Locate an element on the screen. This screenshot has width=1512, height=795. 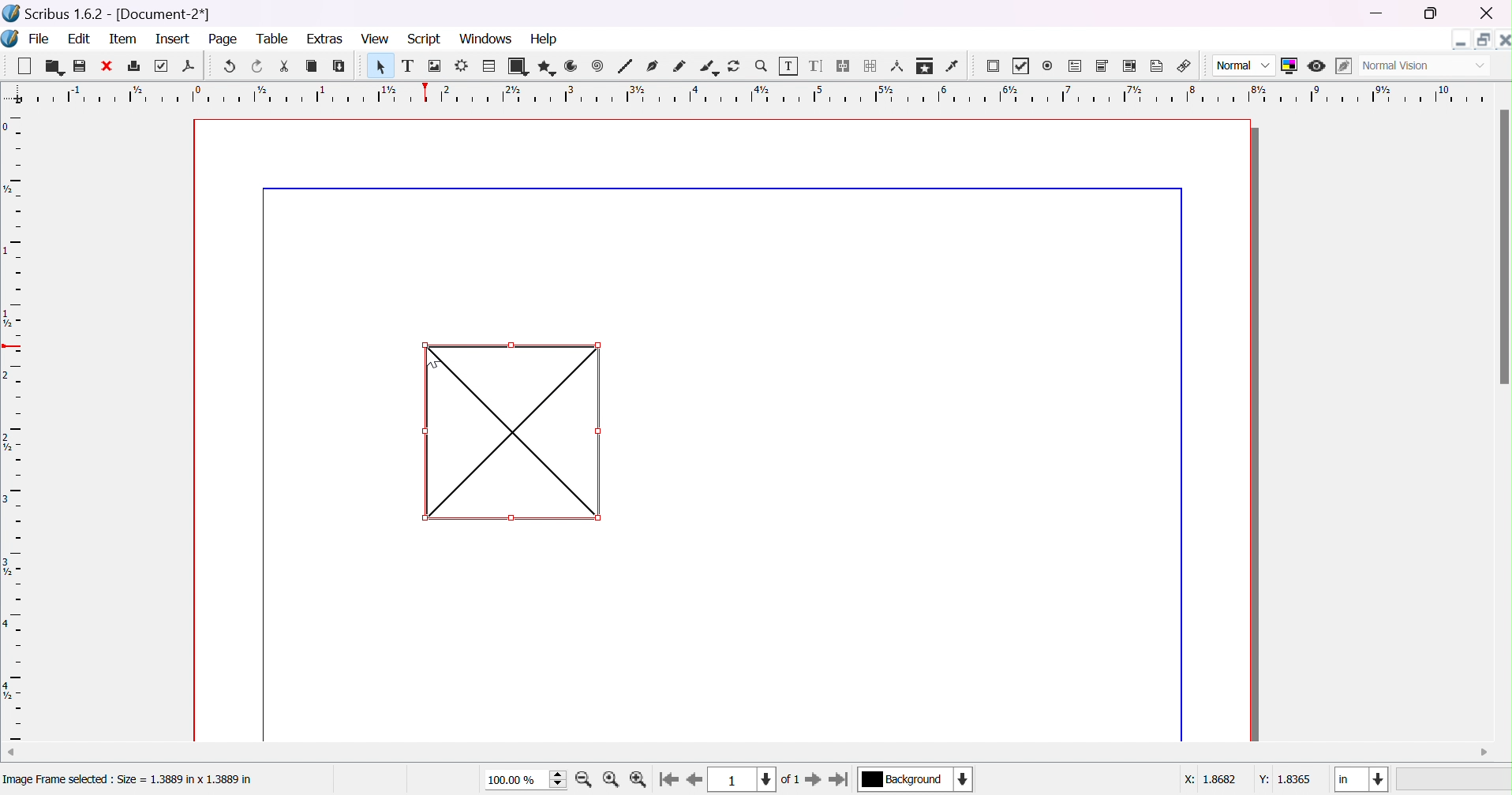
PDF push button is located at coordinates (995, 68).